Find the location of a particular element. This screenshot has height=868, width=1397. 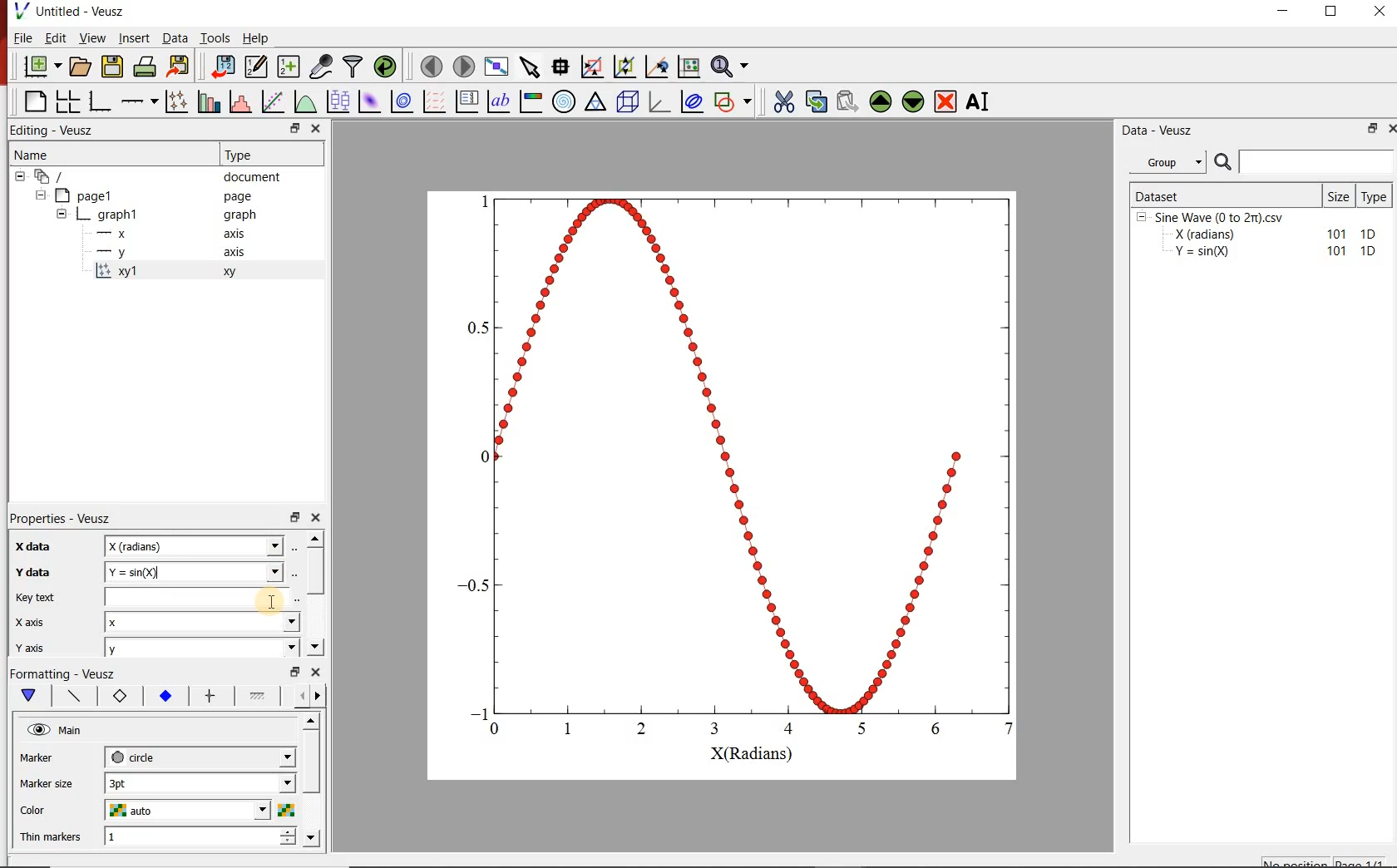

xy is located at coordinates (116, 696).